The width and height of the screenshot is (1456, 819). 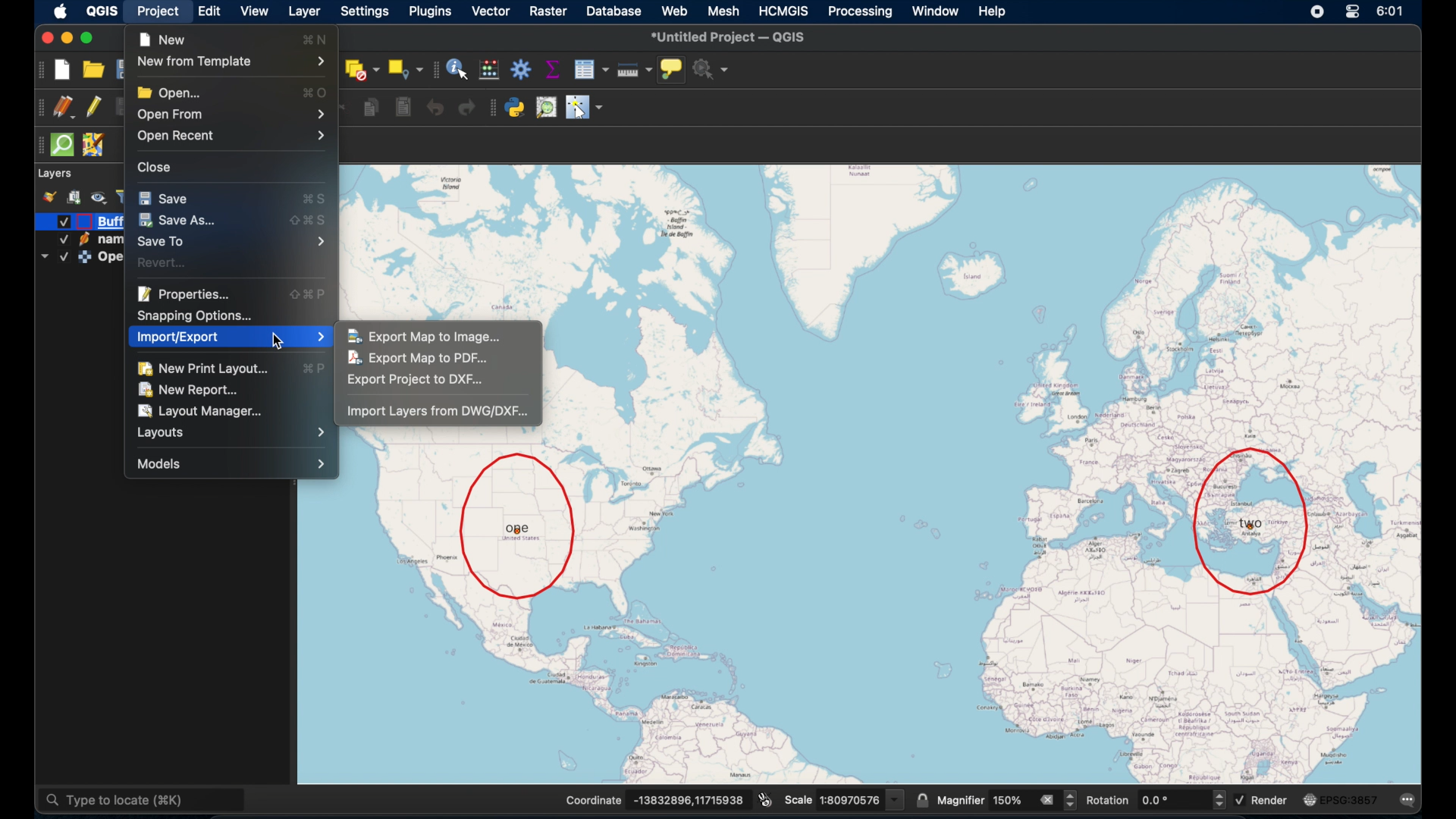 What do you see at coordinates (89, 38) in the screenshot?
I see `maximize` at bounding box center [89, 38].